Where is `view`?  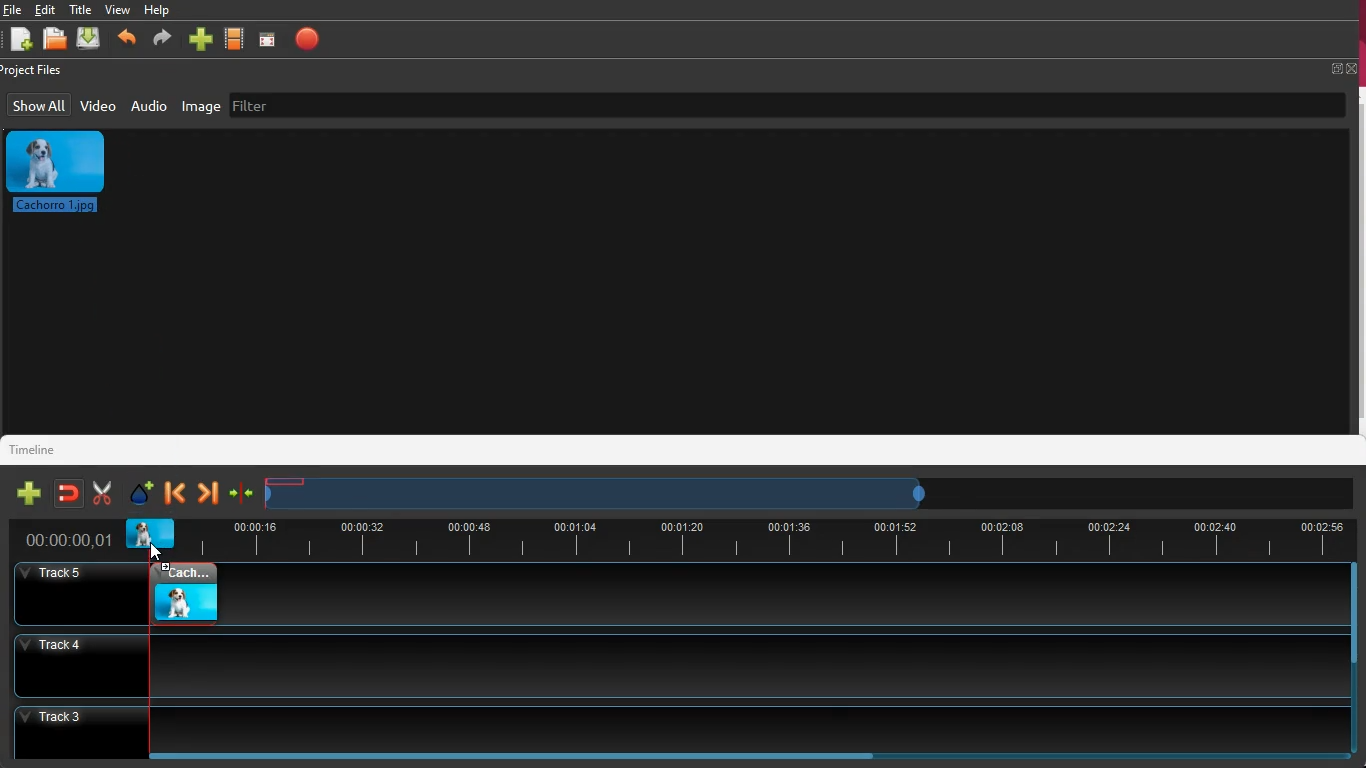 view is located at coordinates (120, 11).